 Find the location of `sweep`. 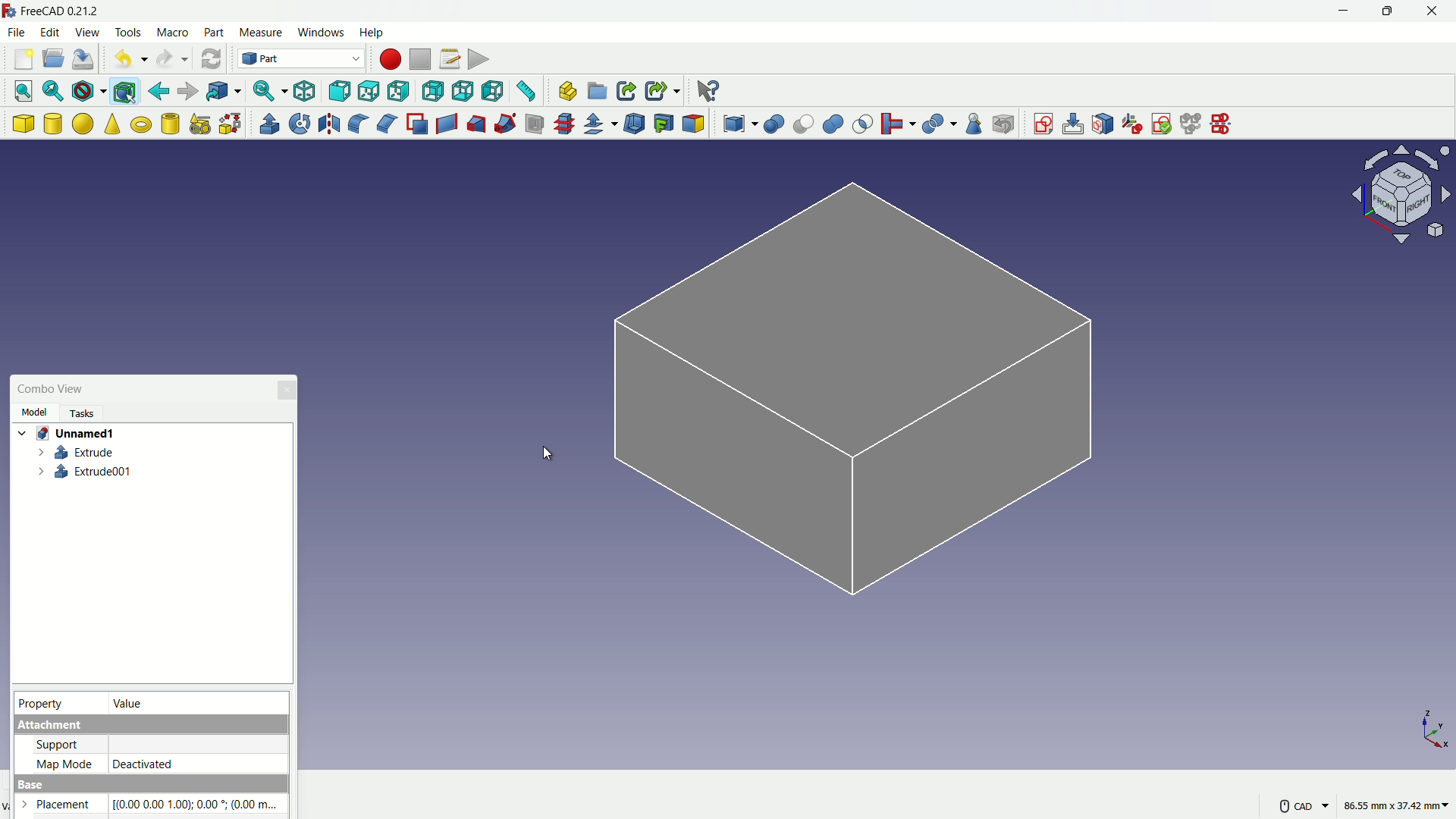

sweep is located at coordinates (505, 125).